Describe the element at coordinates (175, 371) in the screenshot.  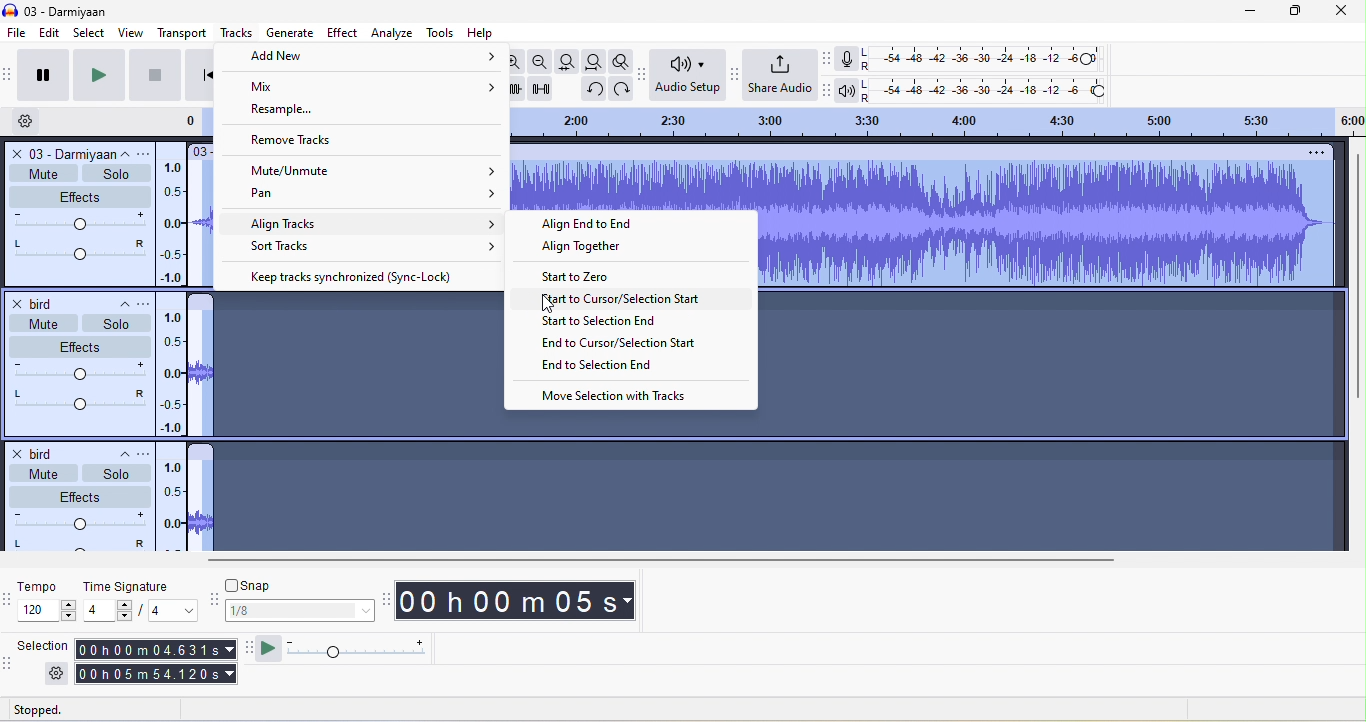
I see `linear` at that location.